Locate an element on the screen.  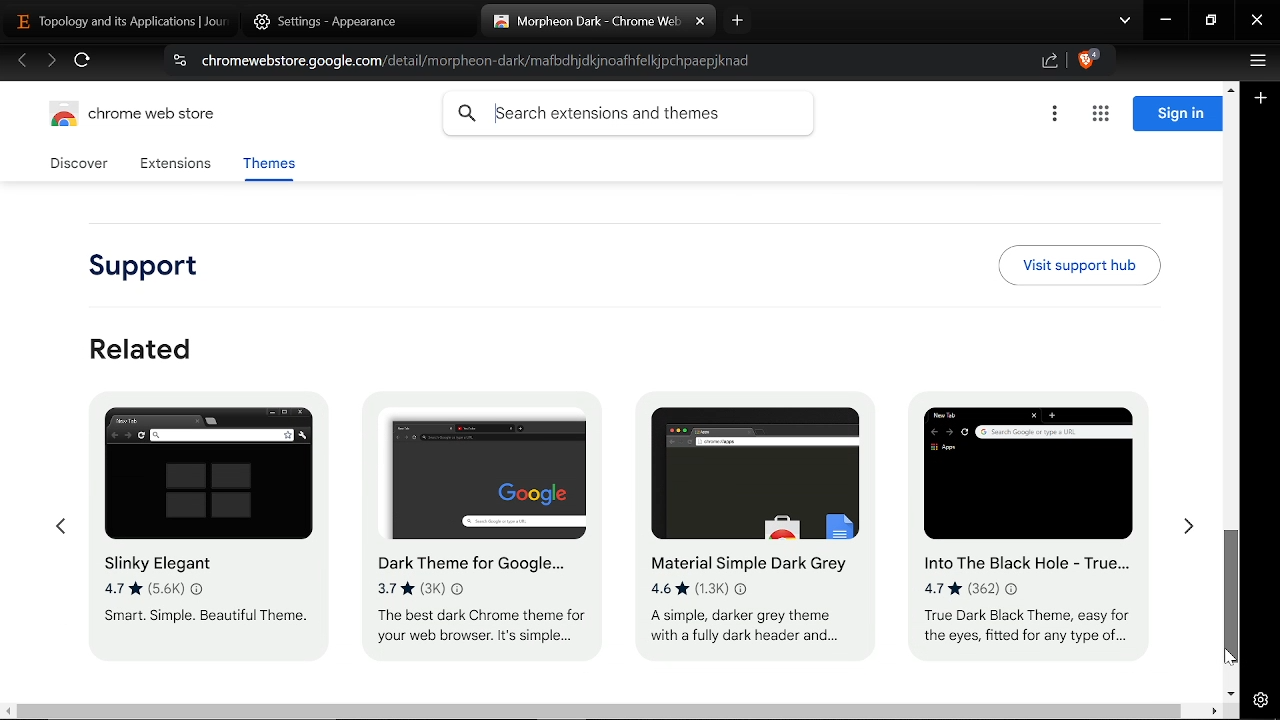
Search extensions and themes is located at coordinates (628, 114).